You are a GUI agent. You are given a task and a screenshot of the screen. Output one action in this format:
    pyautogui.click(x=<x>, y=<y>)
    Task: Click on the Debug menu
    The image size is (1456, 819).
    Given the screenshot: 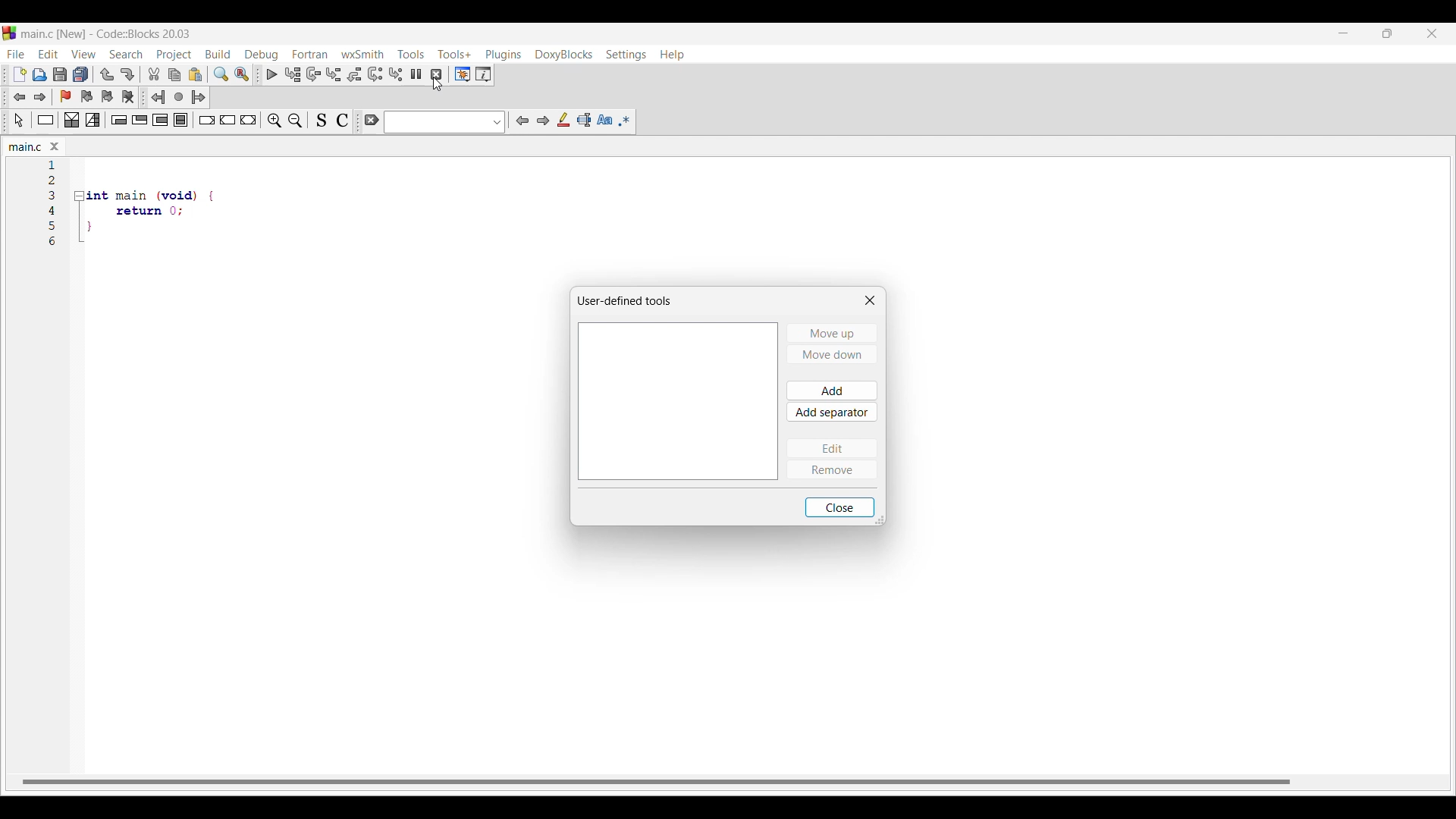 What is the action you would take?
    pyautogui.click(x=262, y=55)
    